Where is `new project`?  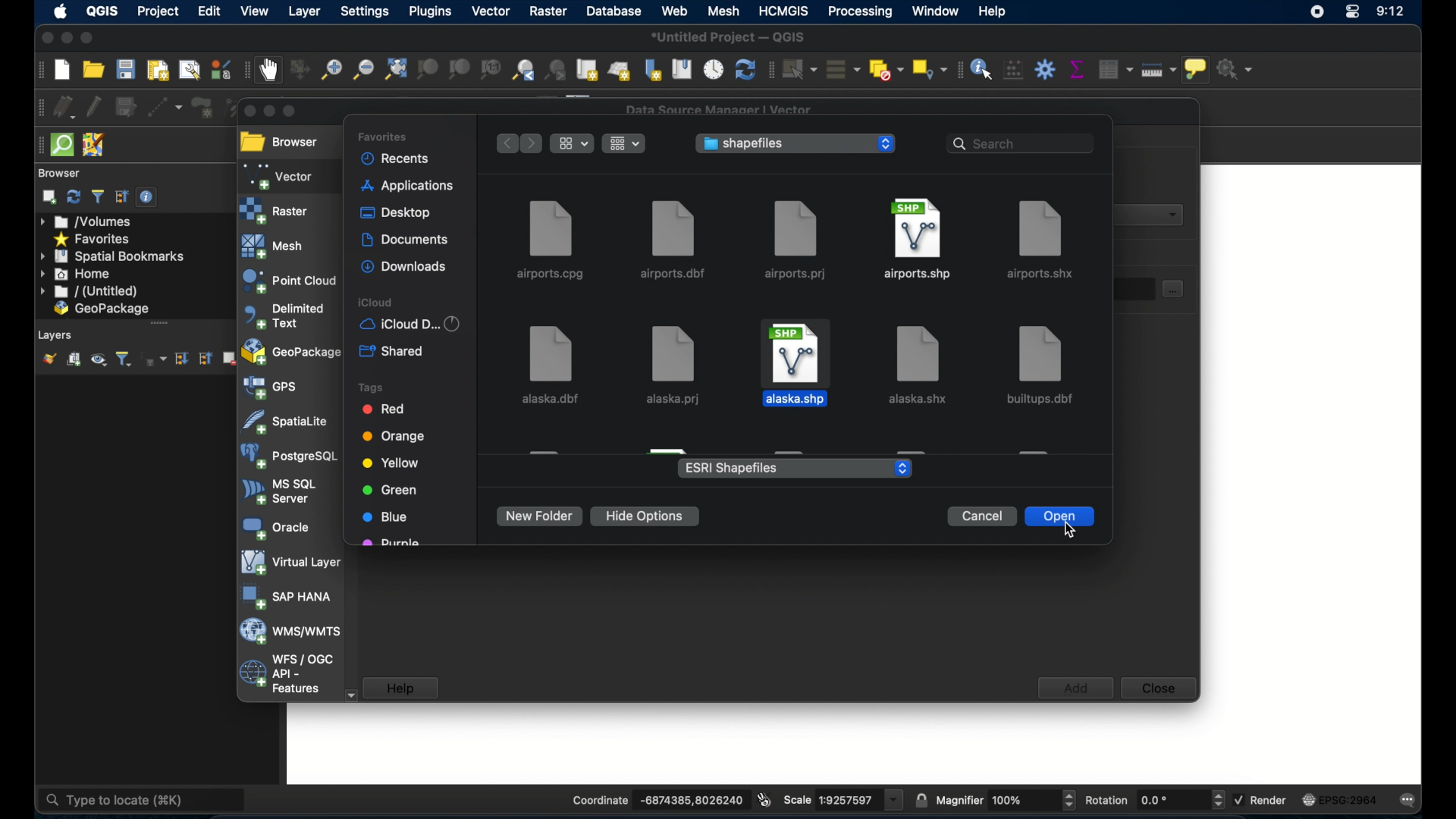
new project is located at coordinates (61, 70).